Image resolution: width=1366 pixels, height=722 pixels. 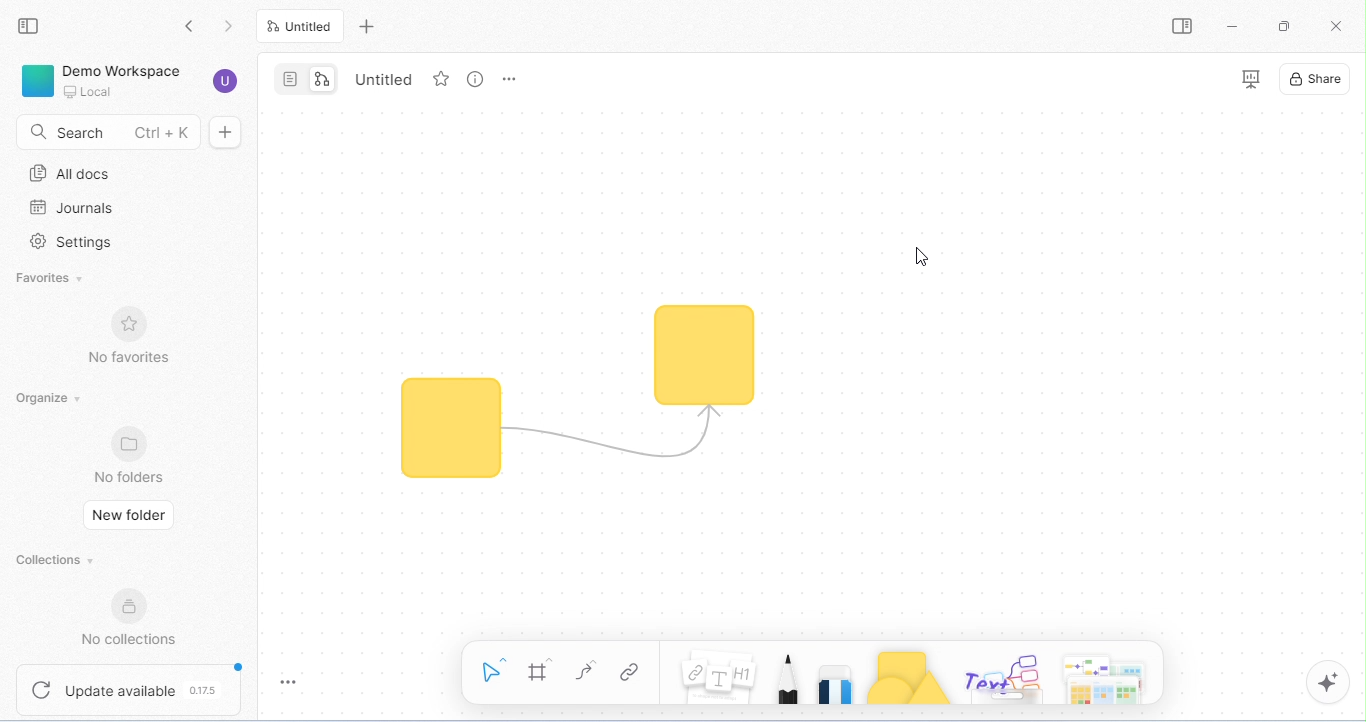 What do you see at coordinates (543, 671) in the screenshot?
I see `frame` at bounding box center [543, 671].